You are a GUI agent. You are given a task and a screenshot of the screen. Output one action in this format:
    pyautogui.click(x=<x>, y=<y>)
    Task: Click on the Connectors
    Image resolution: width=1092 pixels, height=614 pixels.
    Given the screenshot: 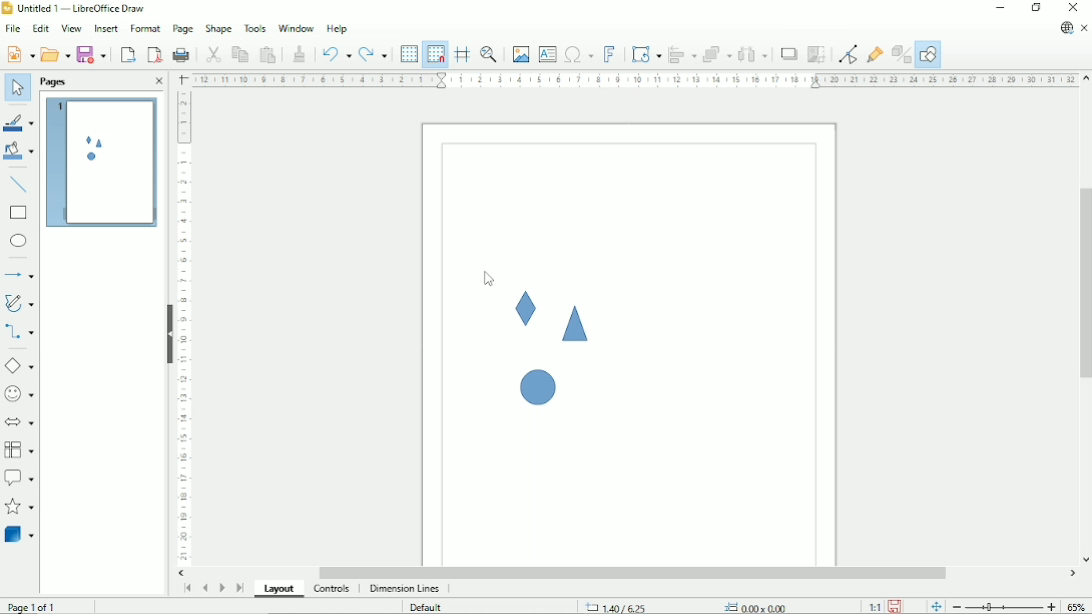 What is the action you would take?
    pyautogui.click(x=19, y=333)
    